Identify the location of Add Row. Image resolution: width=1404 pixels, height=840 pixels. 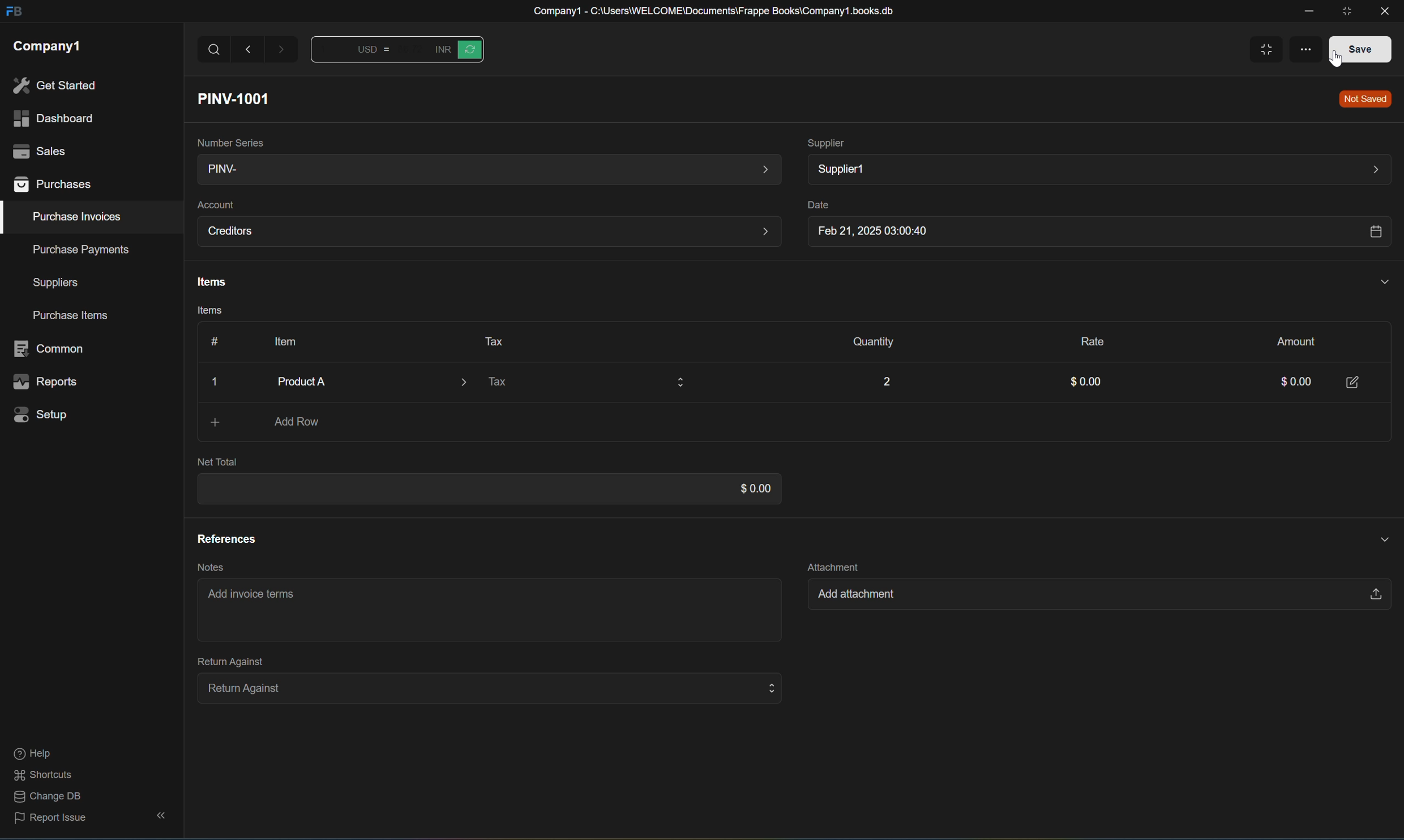
(299, 423).